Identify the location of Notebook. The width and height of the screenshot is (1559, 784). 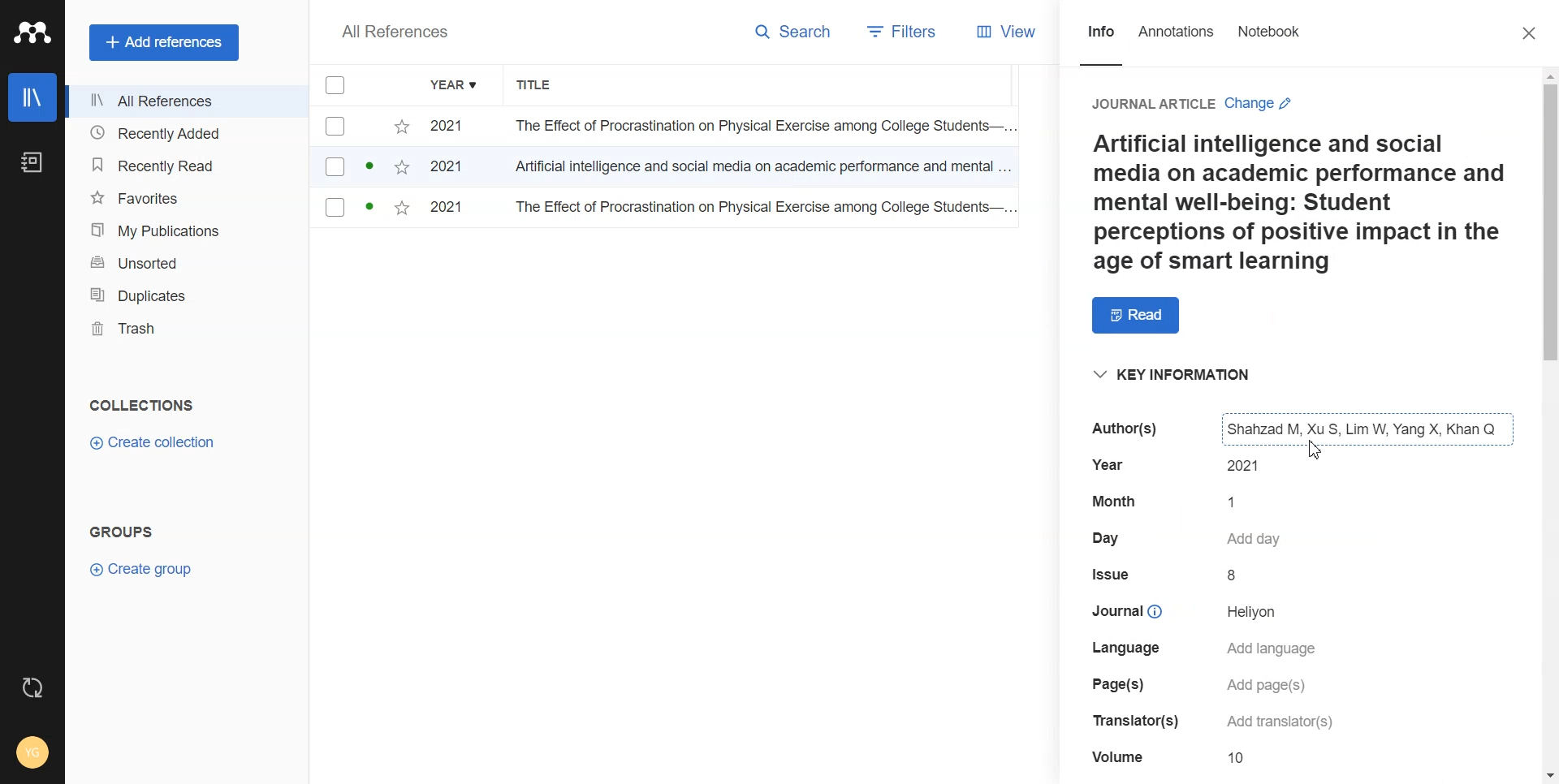
(1271, 41).